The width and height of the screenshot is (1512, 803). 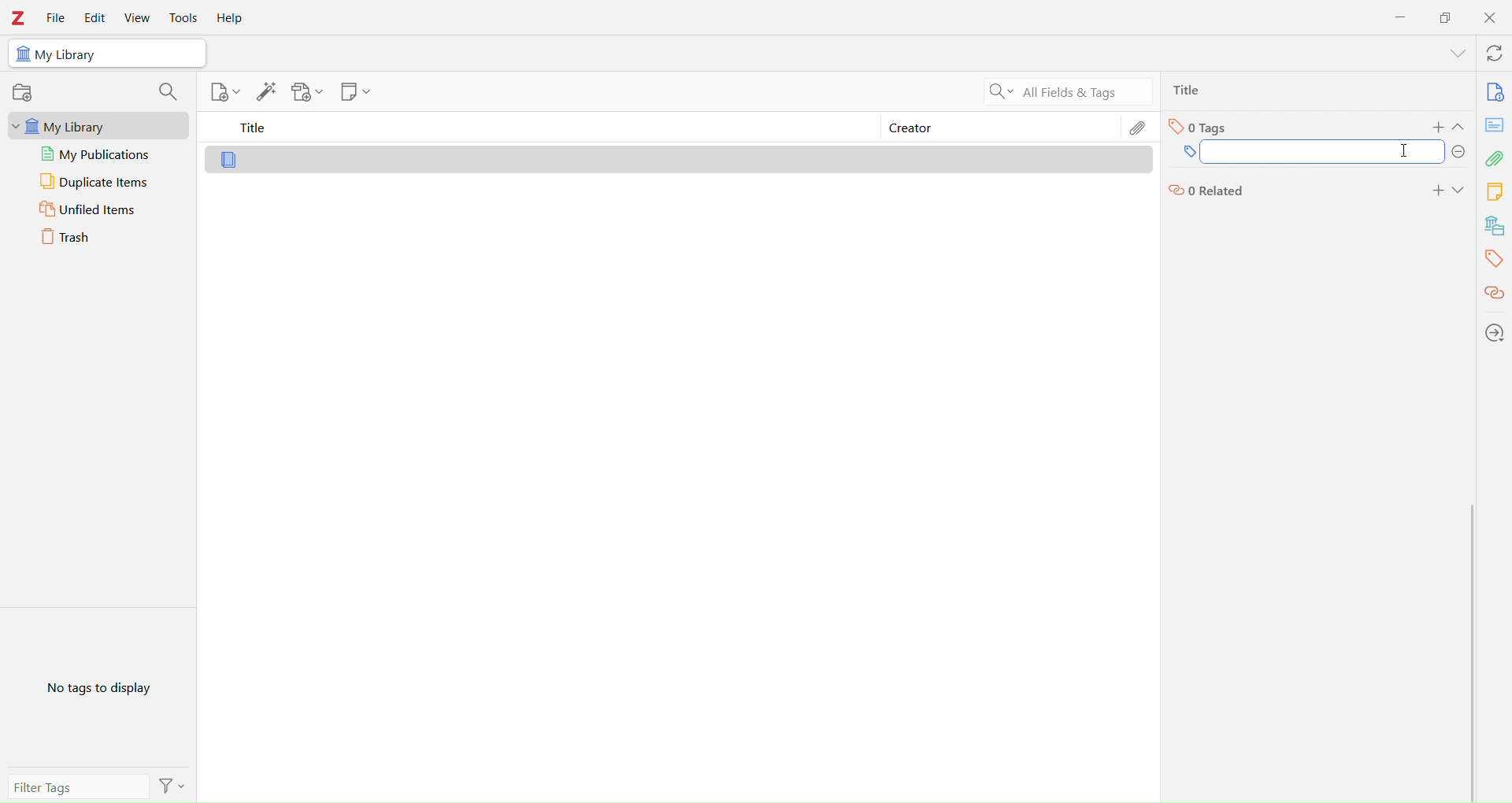 What do you see at coordinates (1449, 17) in the screenshot?
I see `Duplicate` at bounding box center [1449, 17].